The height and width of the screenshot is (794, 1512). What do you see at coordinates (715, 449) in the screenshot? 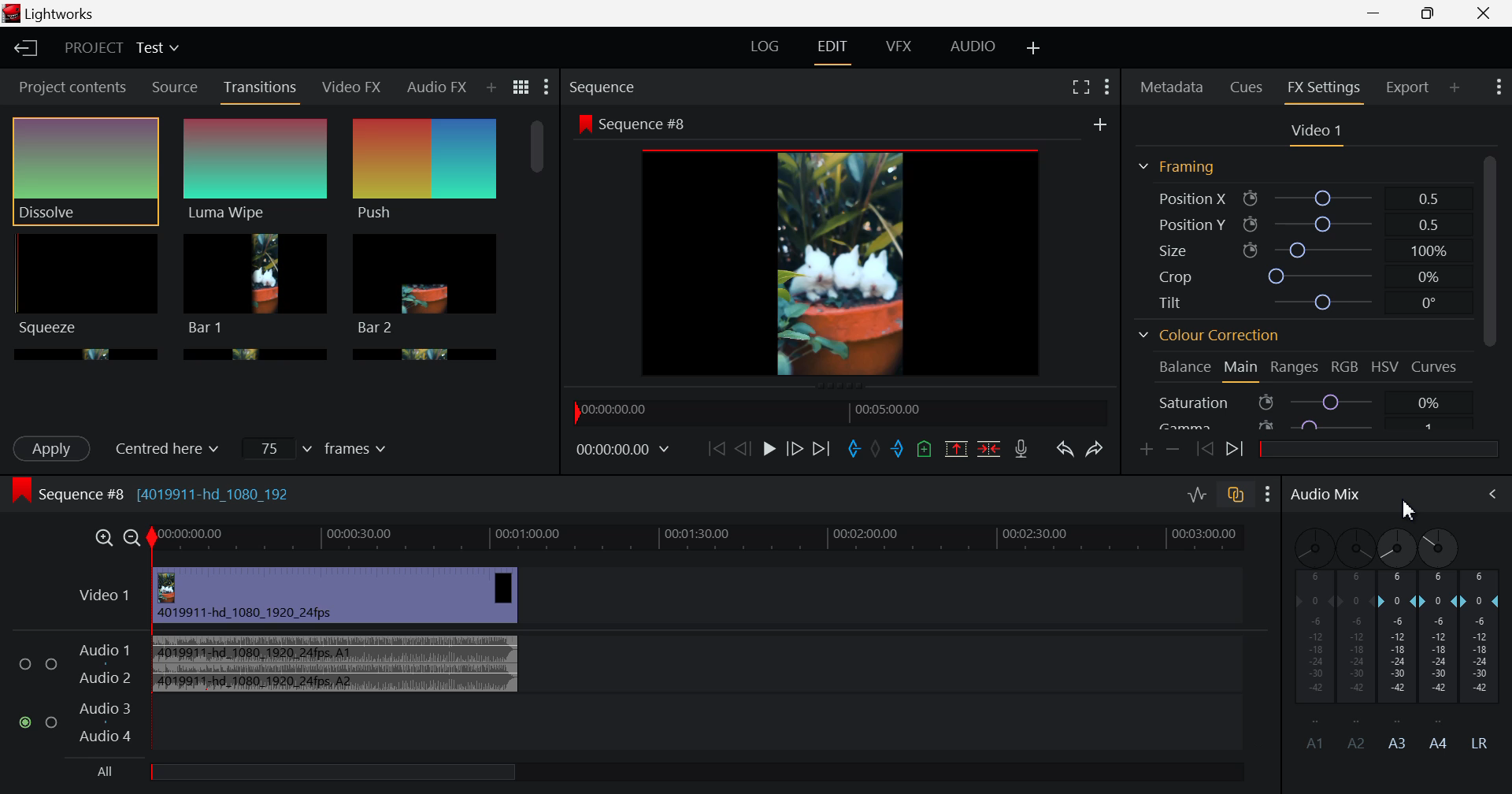
I see `To start` at bounding box center [715, 449].